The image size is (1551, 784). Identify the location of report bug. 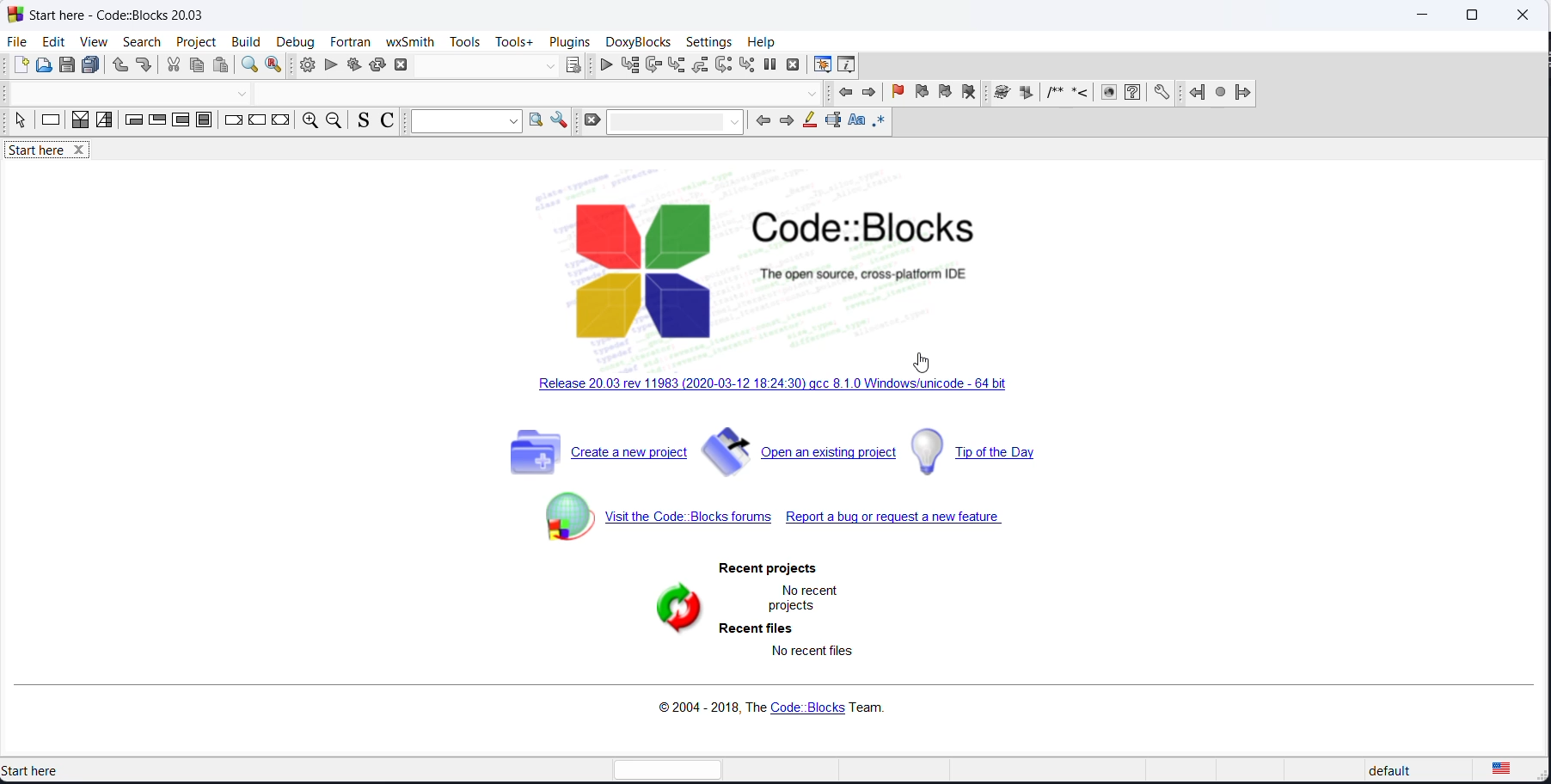
(923, 520).